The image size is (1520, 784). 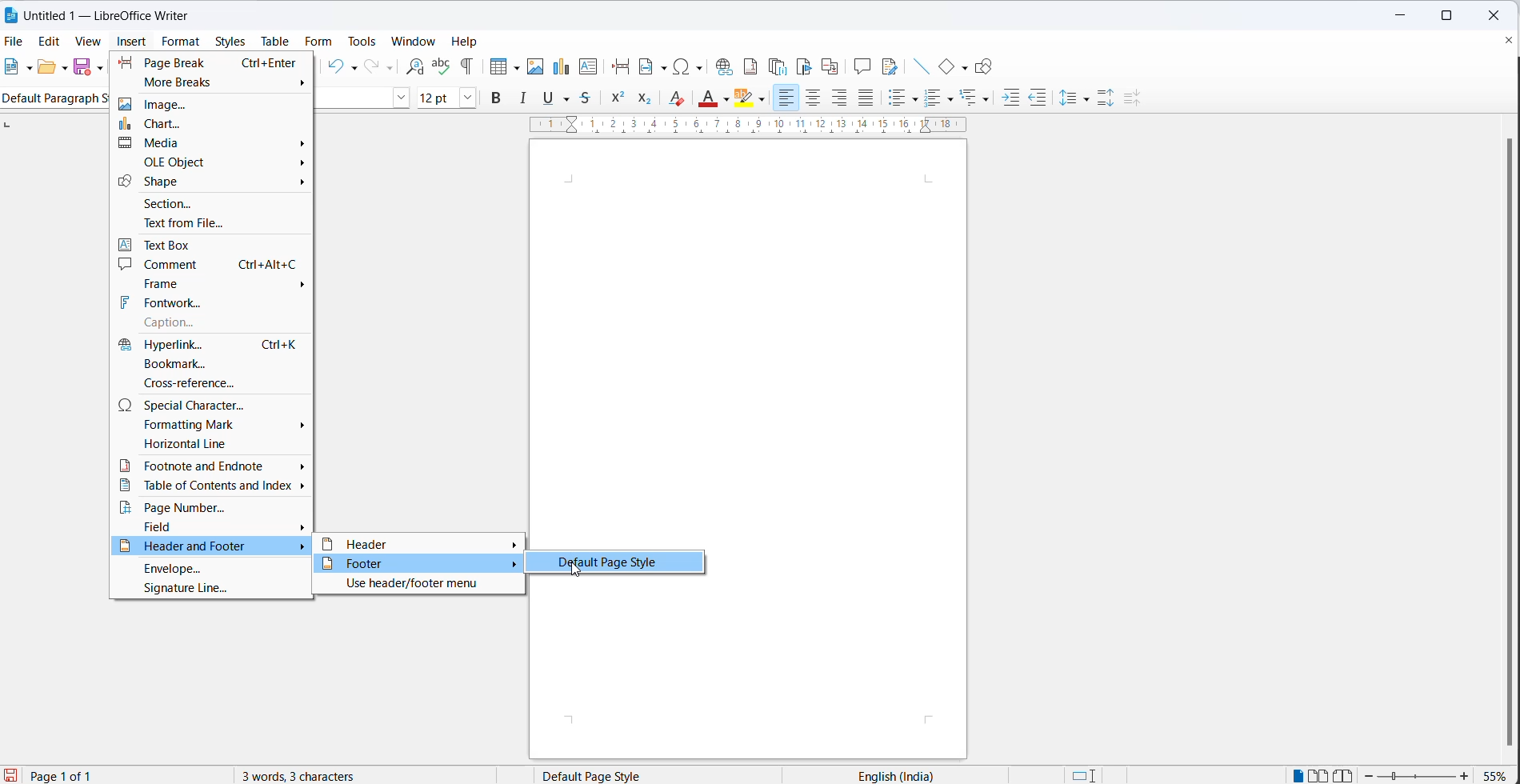 I want to click on comment, so click(x=205, y=265).